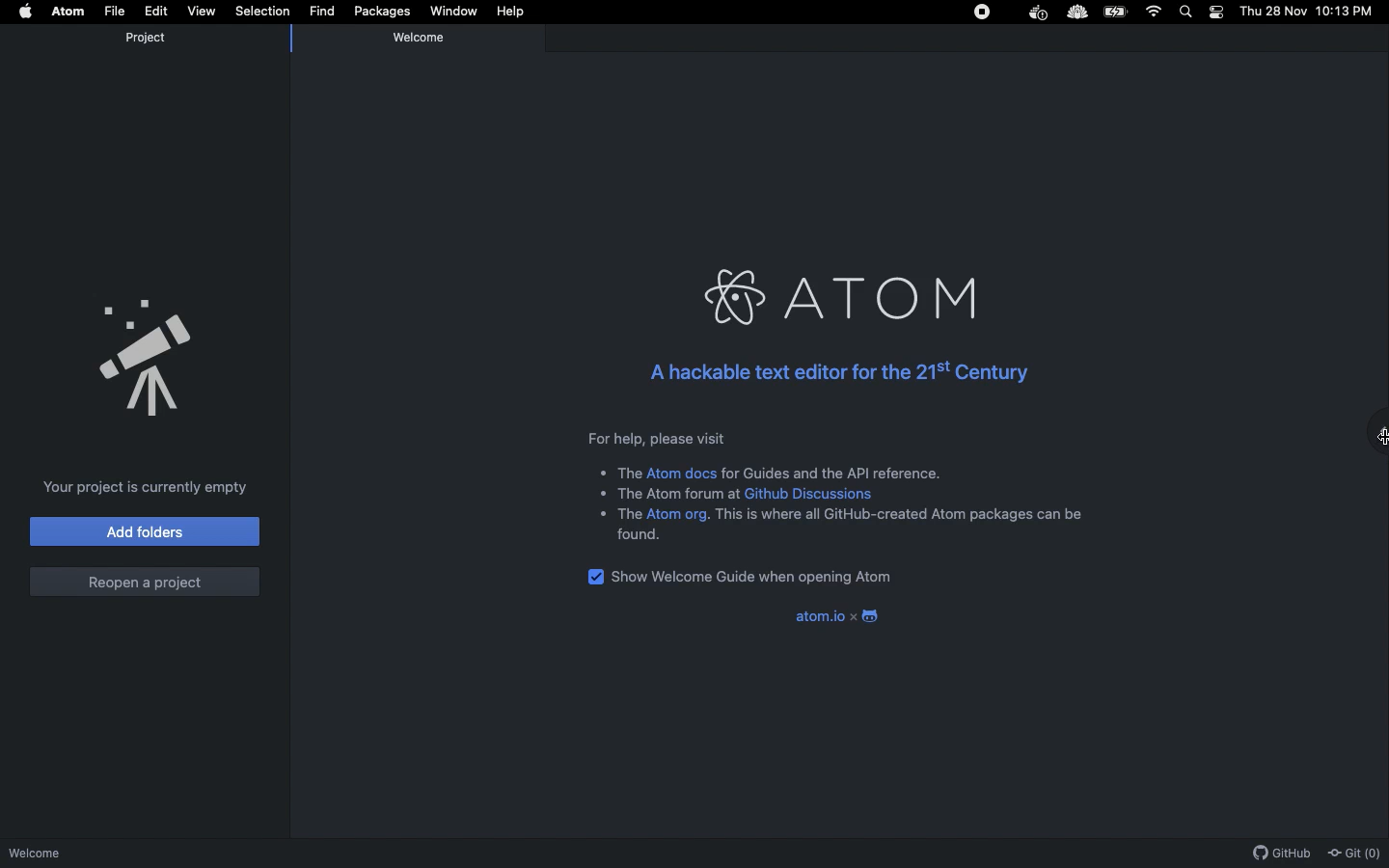 Image resolution: width=1389 pixels, height=868 pixels. Describe the element at coordinates (1080, 13) in the screenshot. I see `Extension` at that location.